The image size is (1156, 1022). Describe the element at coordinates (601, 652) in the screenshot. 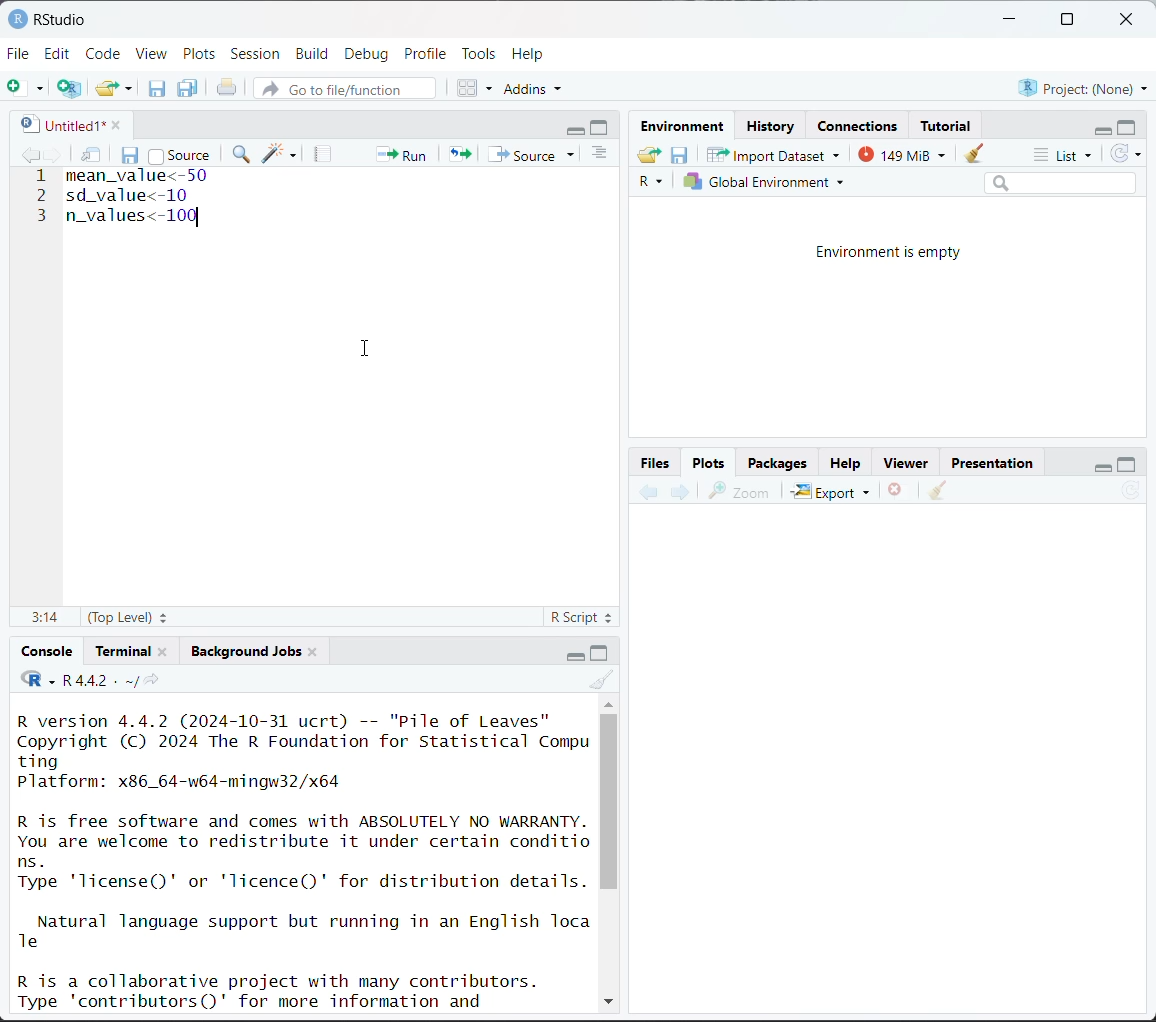

I see `maximize` at that location.